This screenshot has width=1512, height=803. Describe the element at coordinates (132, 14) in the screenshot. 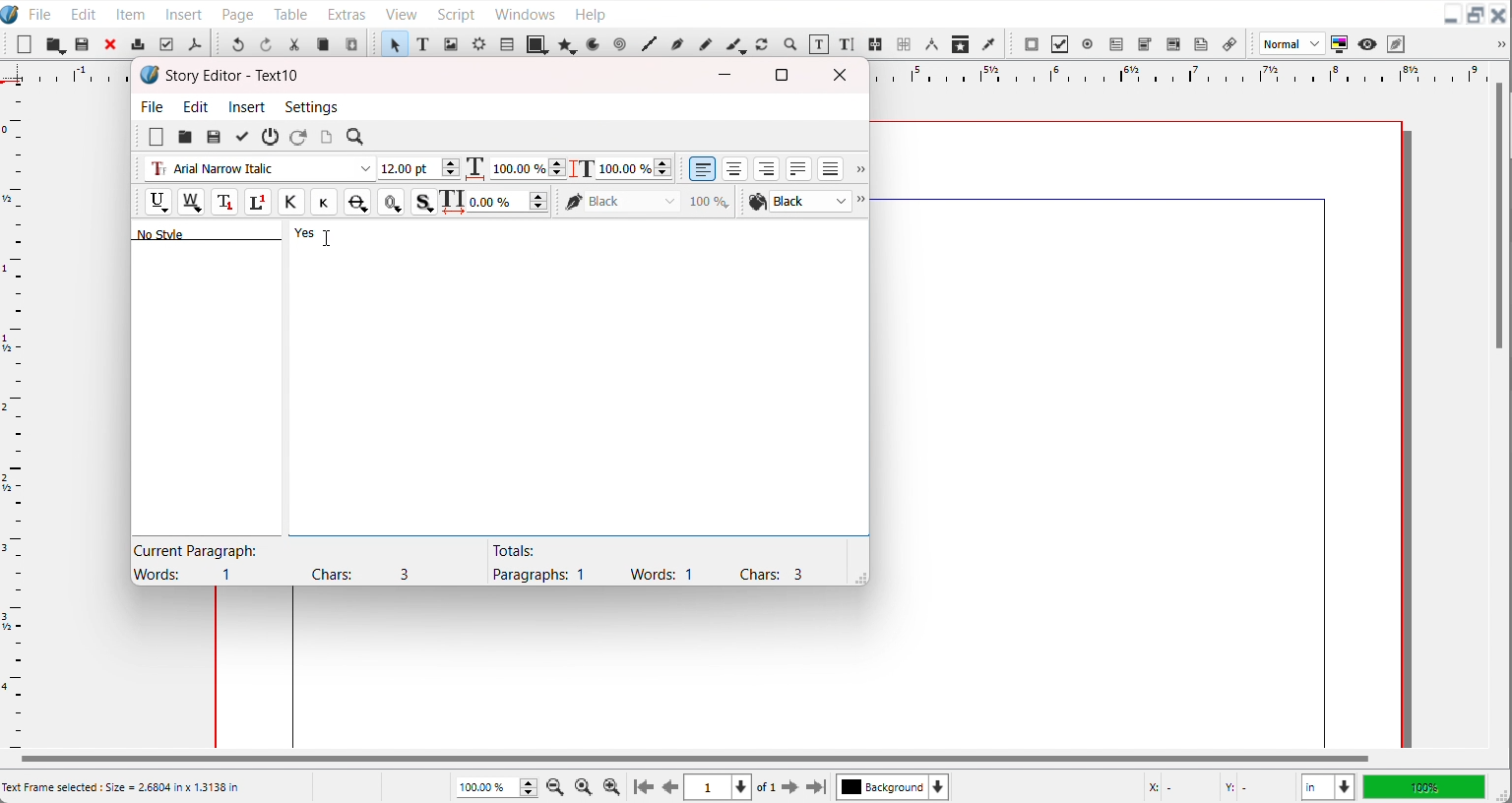

I see `Item` at that location.